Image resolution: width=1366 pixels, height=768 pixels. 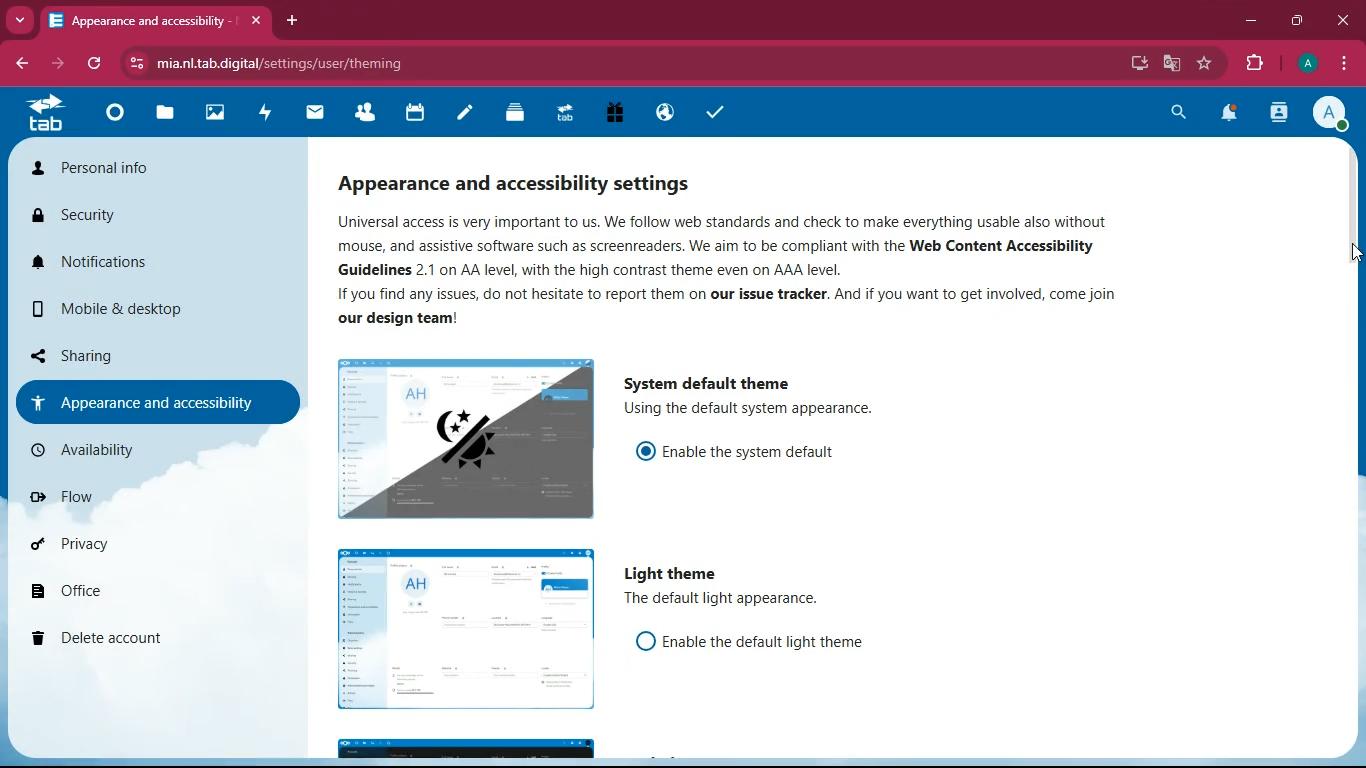 I want to click on menu, so click(x=1347, y=63).